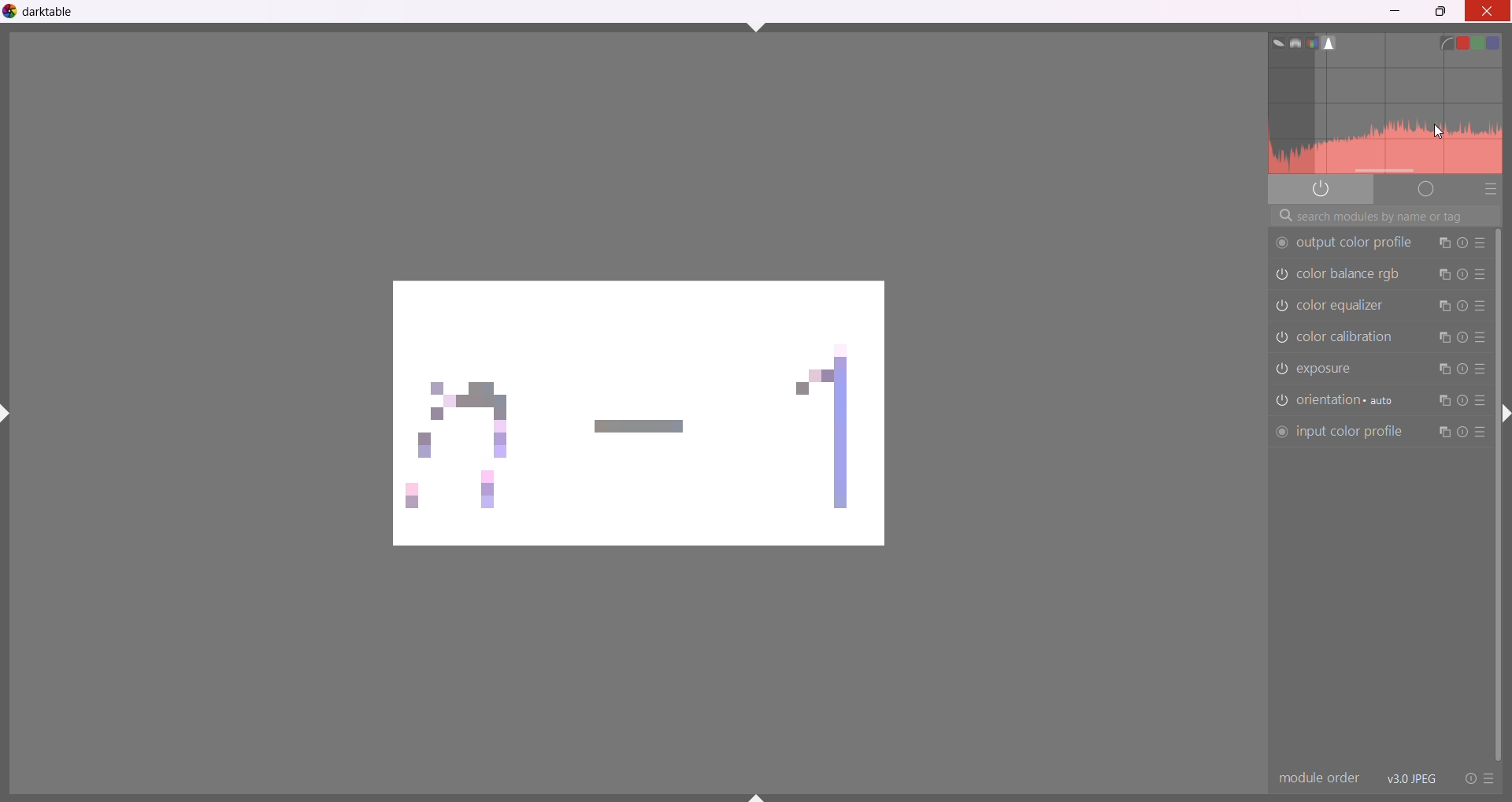 This screenshot has height=802, width=1512. I want to click on shift+ctrl+l, so click(9, 413).